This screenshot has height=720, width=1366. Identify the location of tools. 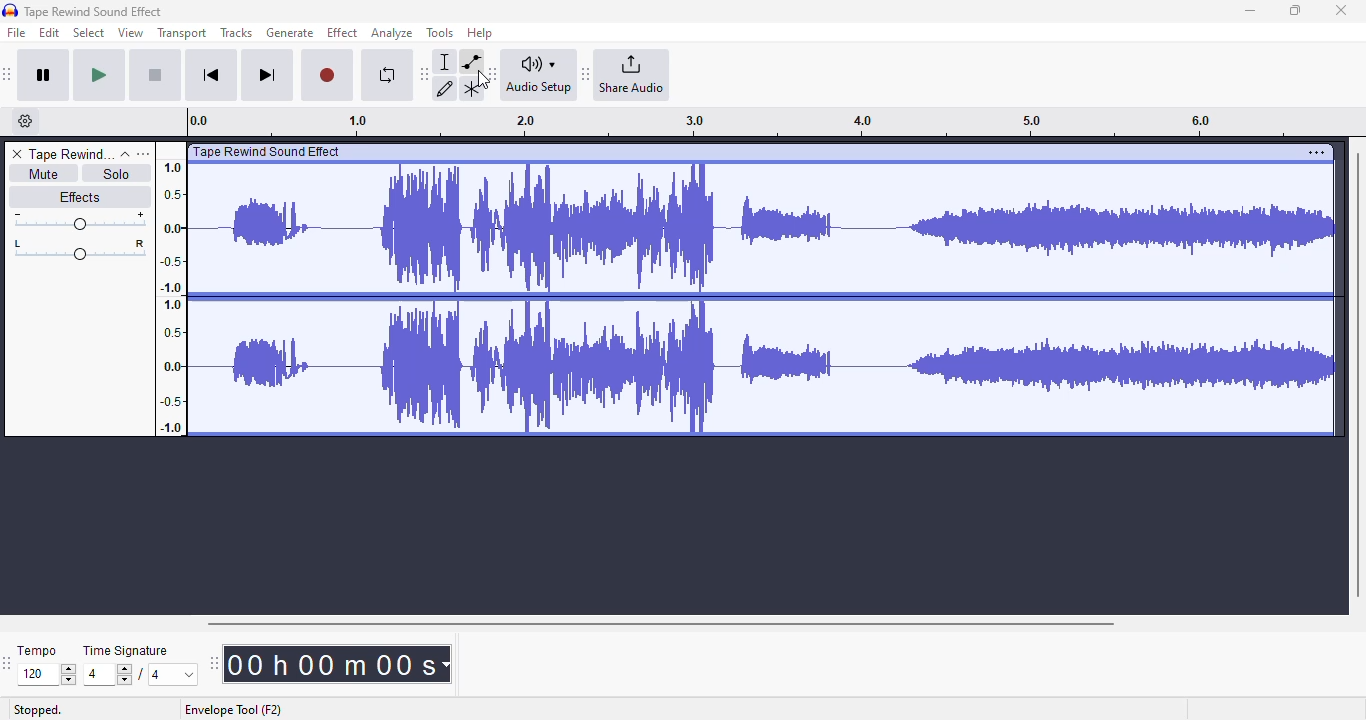
(440, 32).